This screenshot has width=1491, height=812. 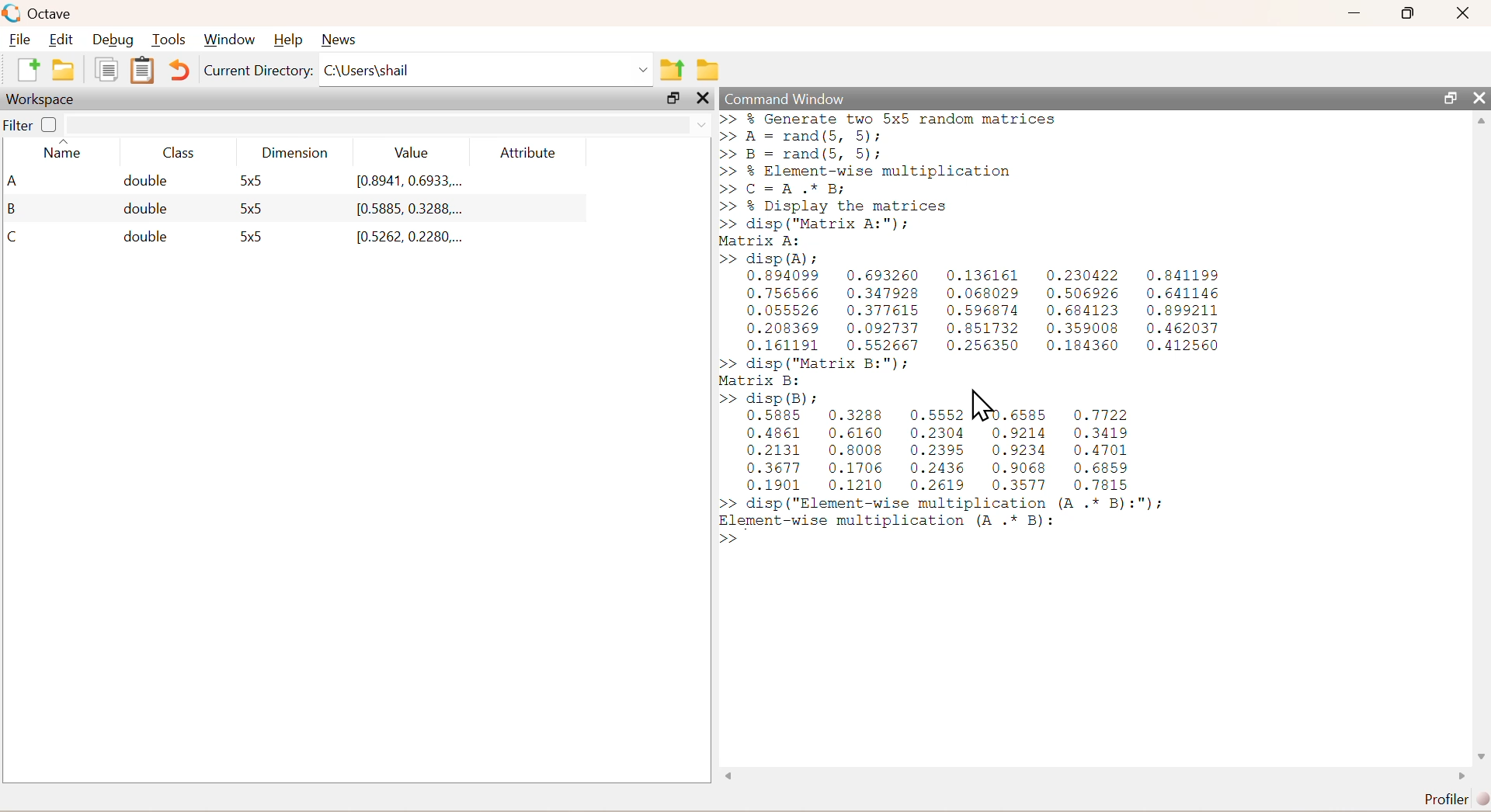 I want to click on Name, so click(x=64, y=153).